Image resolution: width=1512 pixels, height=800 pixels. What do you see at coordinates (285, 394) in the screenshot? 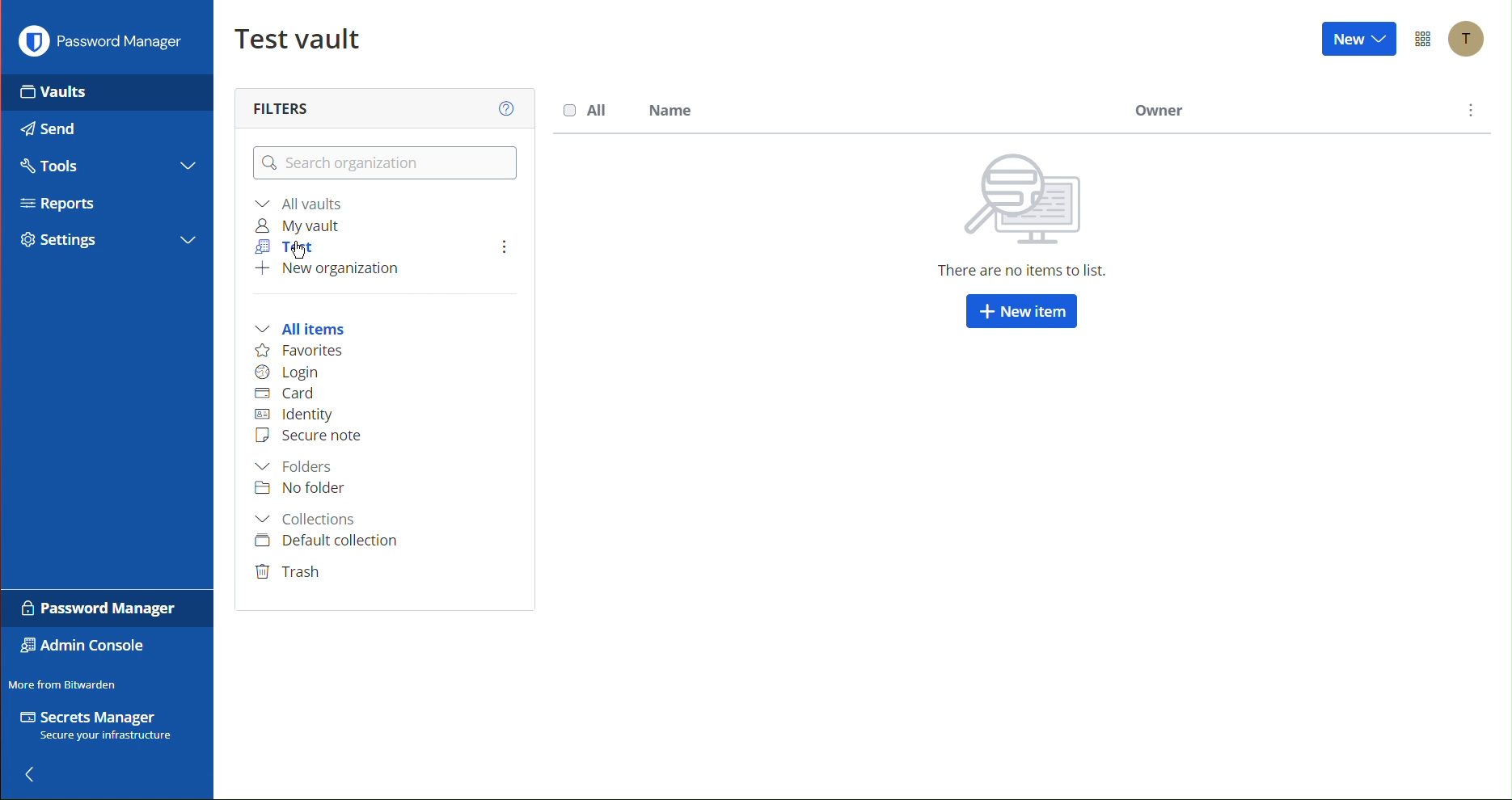
I see `Card ` at bounding box center [285, 394].